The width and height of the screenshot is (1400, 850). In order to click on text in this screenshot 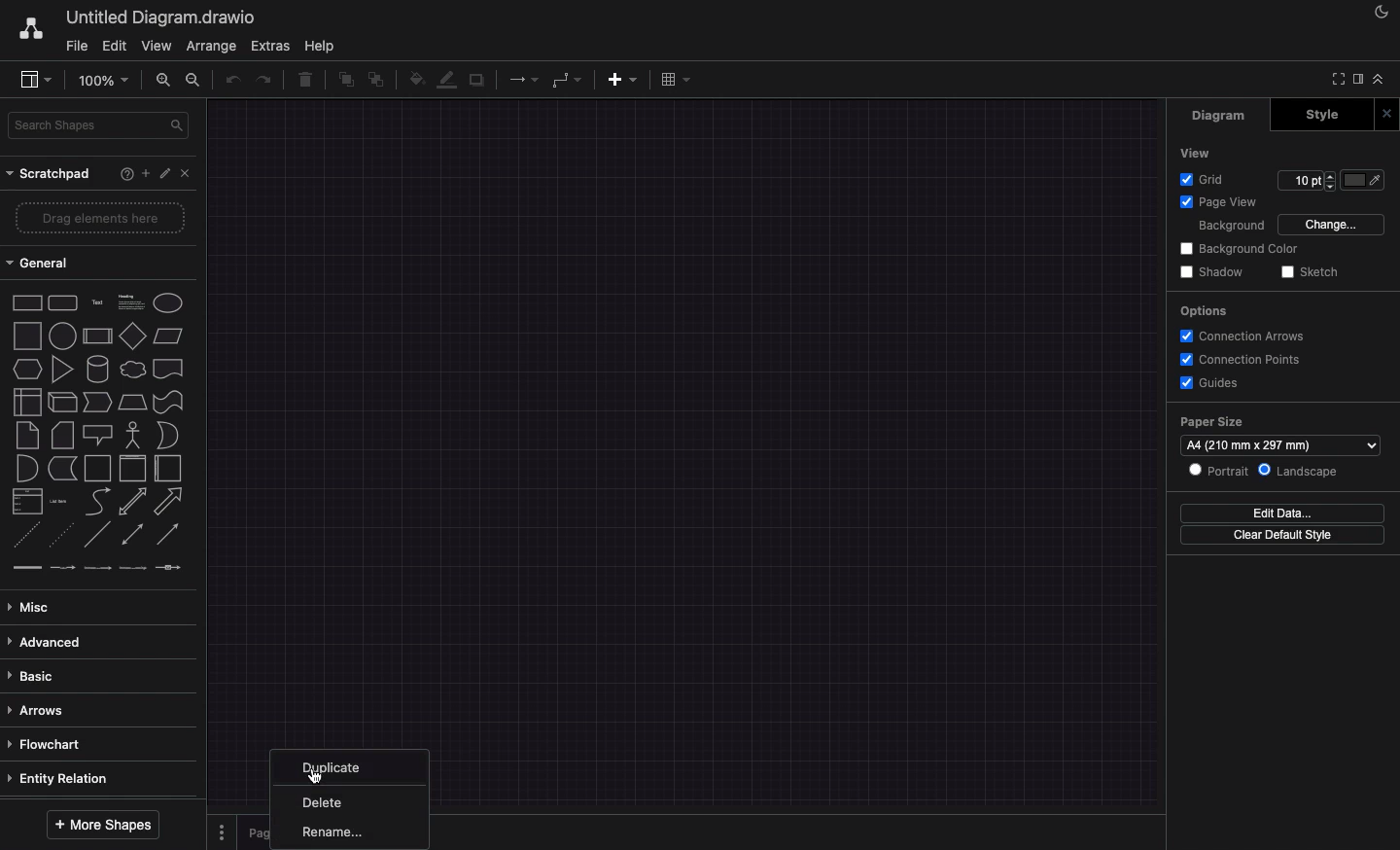, I will do `click(100, 301)`.